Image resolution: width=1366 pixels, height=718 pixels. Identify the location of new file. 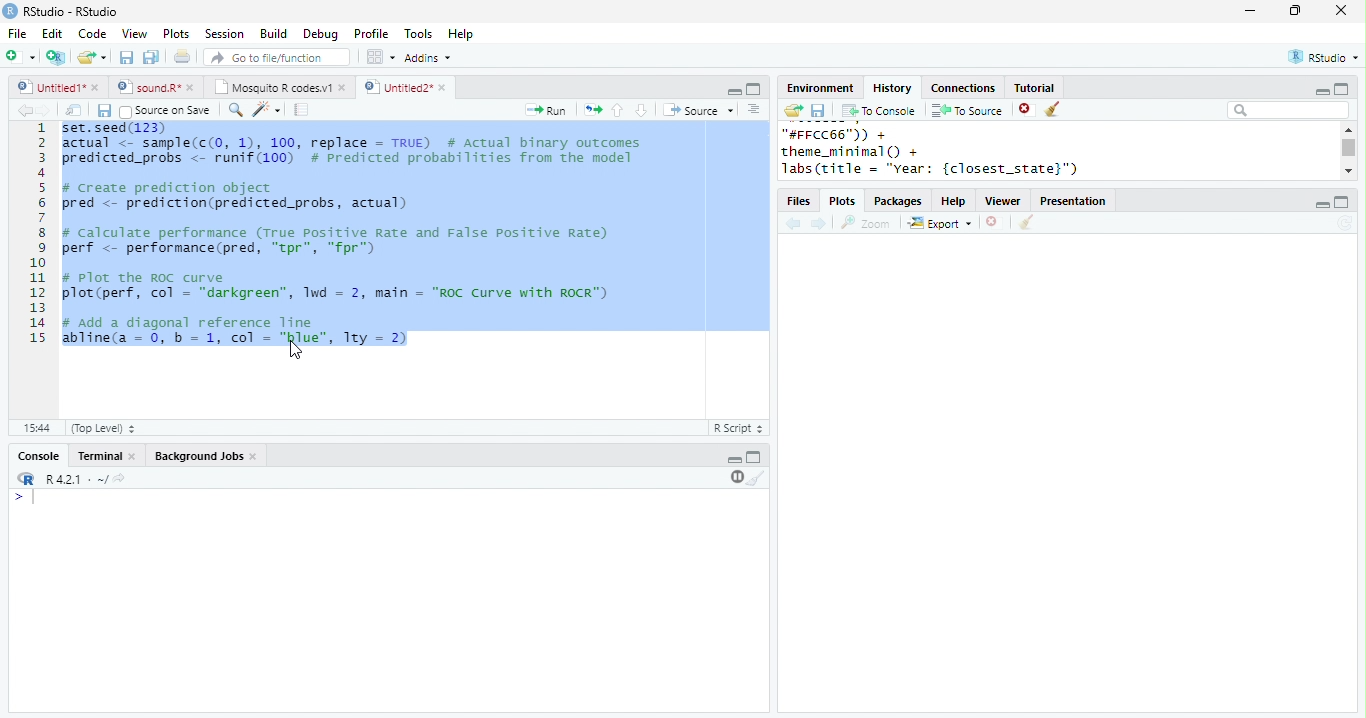
(20, 56).